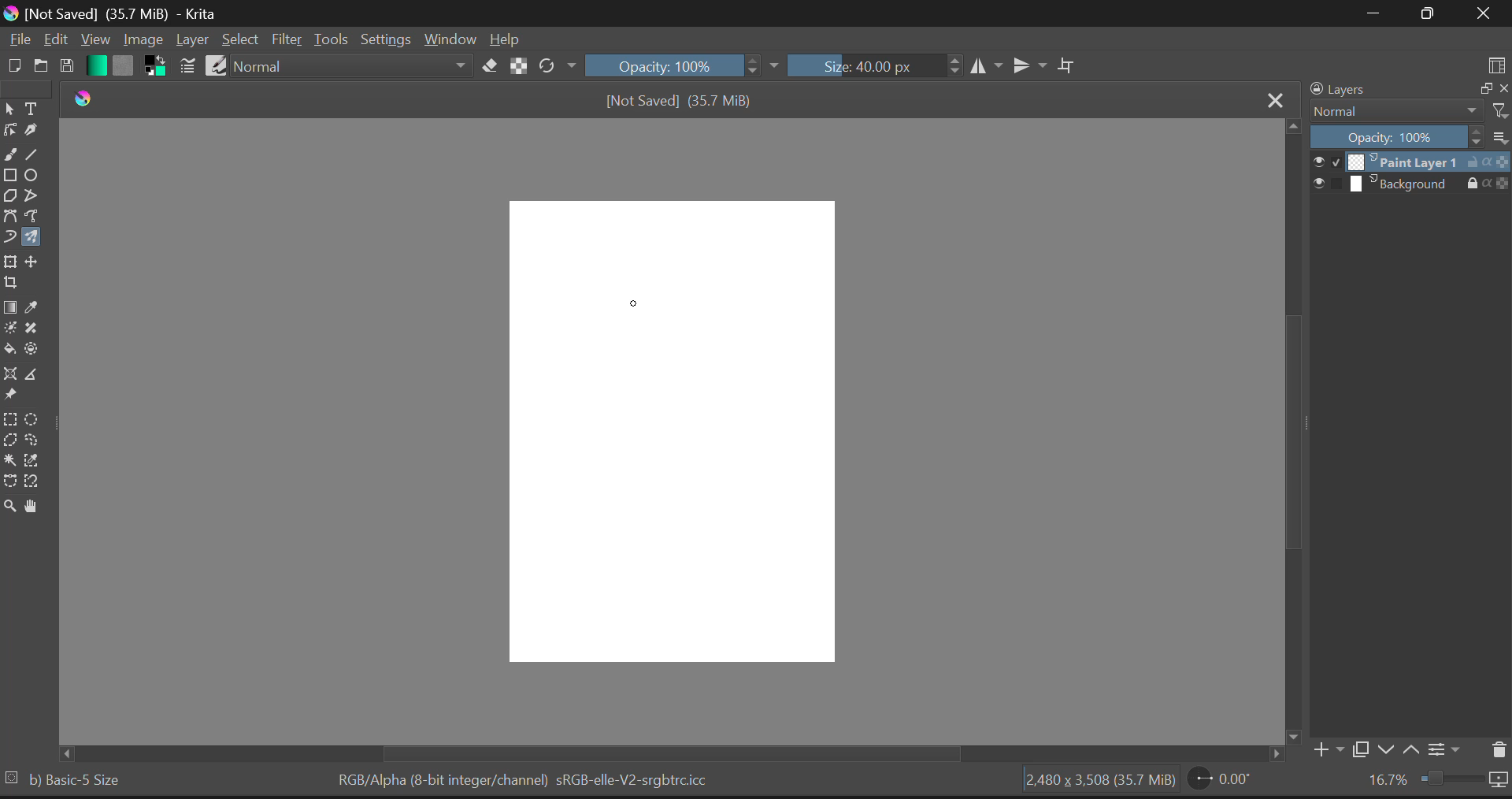 The width and height of the screenshot is (1512, 799). What do you see at coordinates (506, 41) in the screenshot?
I see `Help` at bounding box center [506, 41].